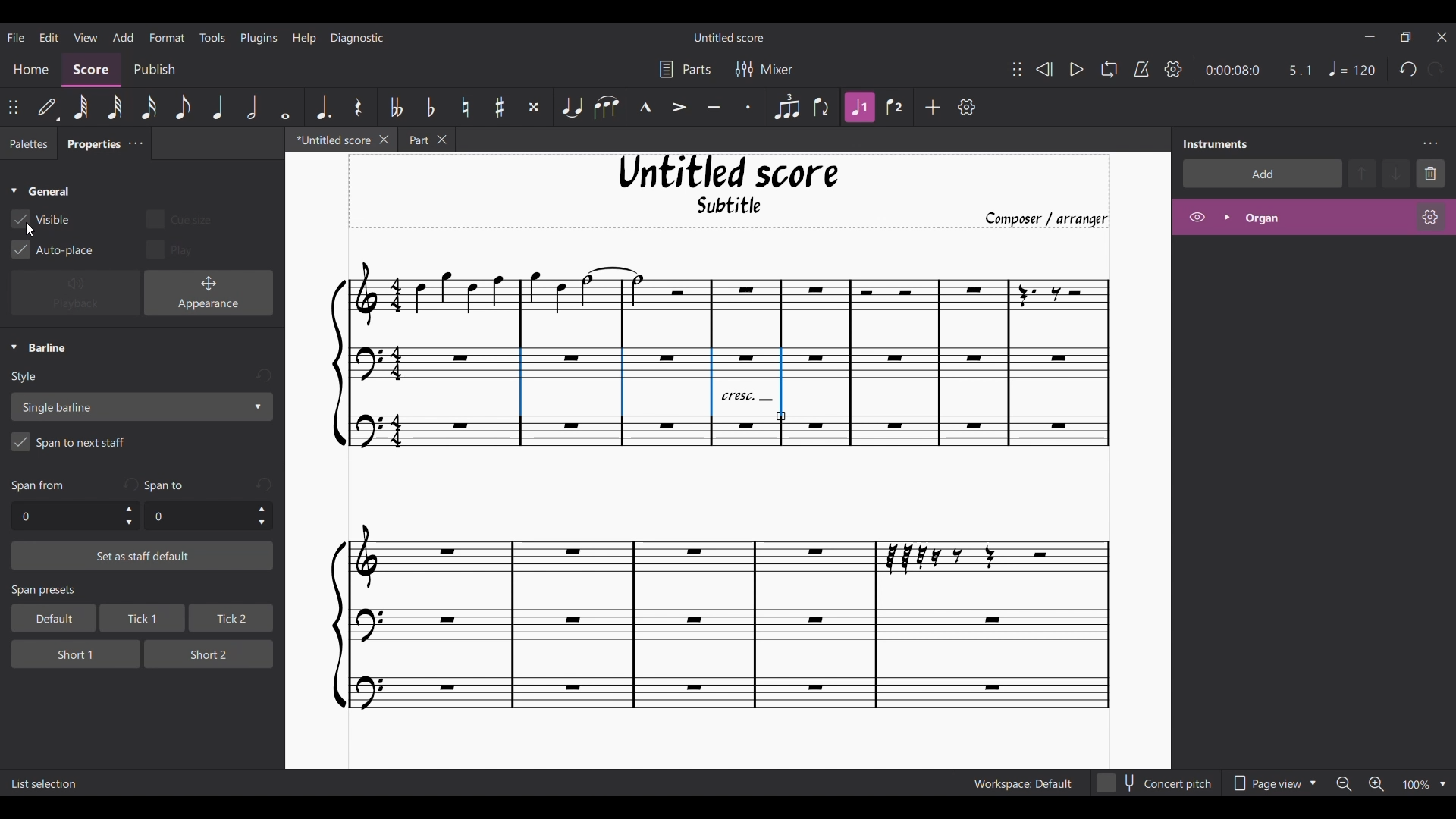  What do you see at coordinates (262, 516) in the screenshot?
I see `Increase/Decrease Span to` at bounding box center [262, 516].